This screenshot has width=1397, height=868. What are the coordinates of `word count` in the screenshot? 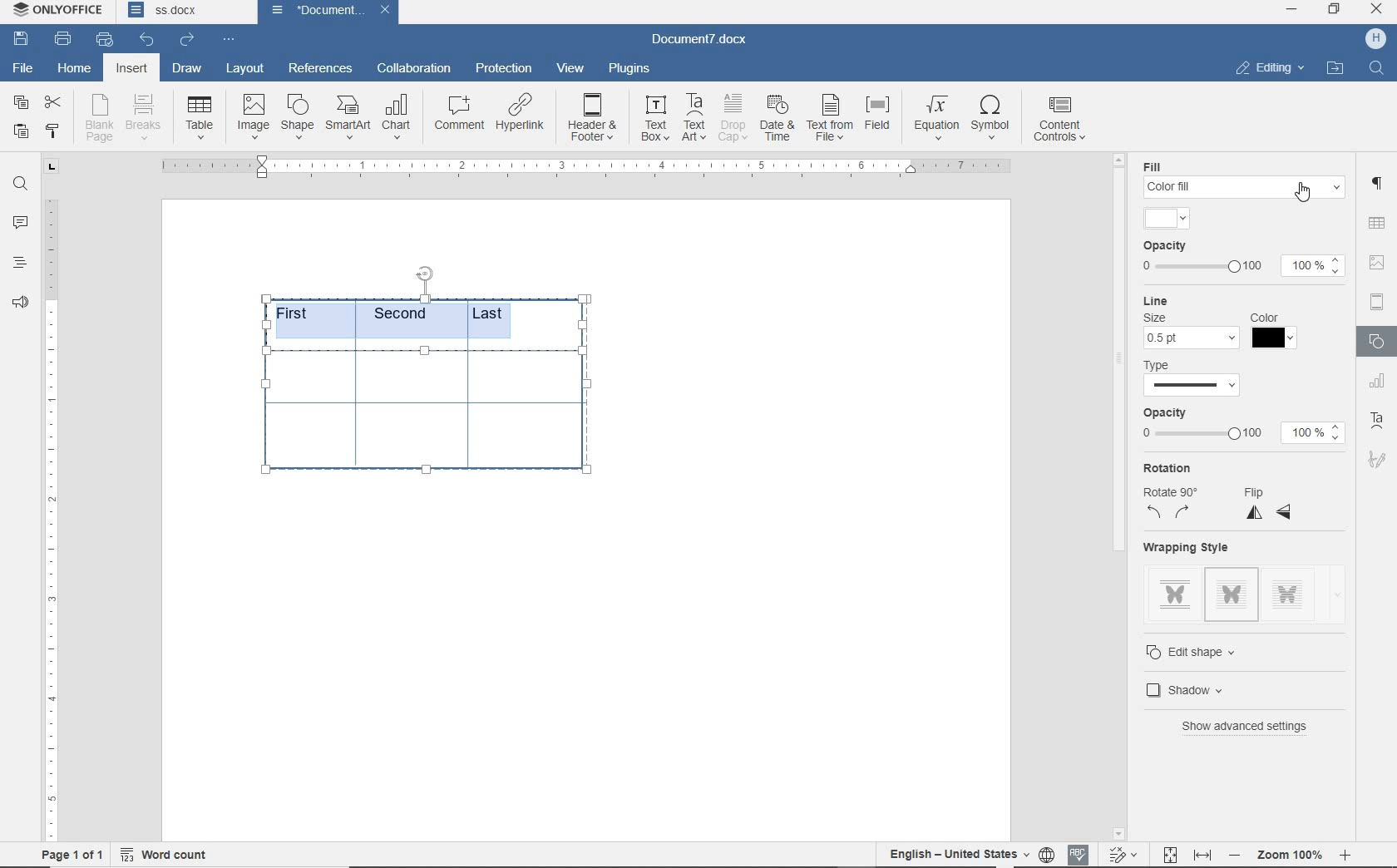 It's located at (166, 851).